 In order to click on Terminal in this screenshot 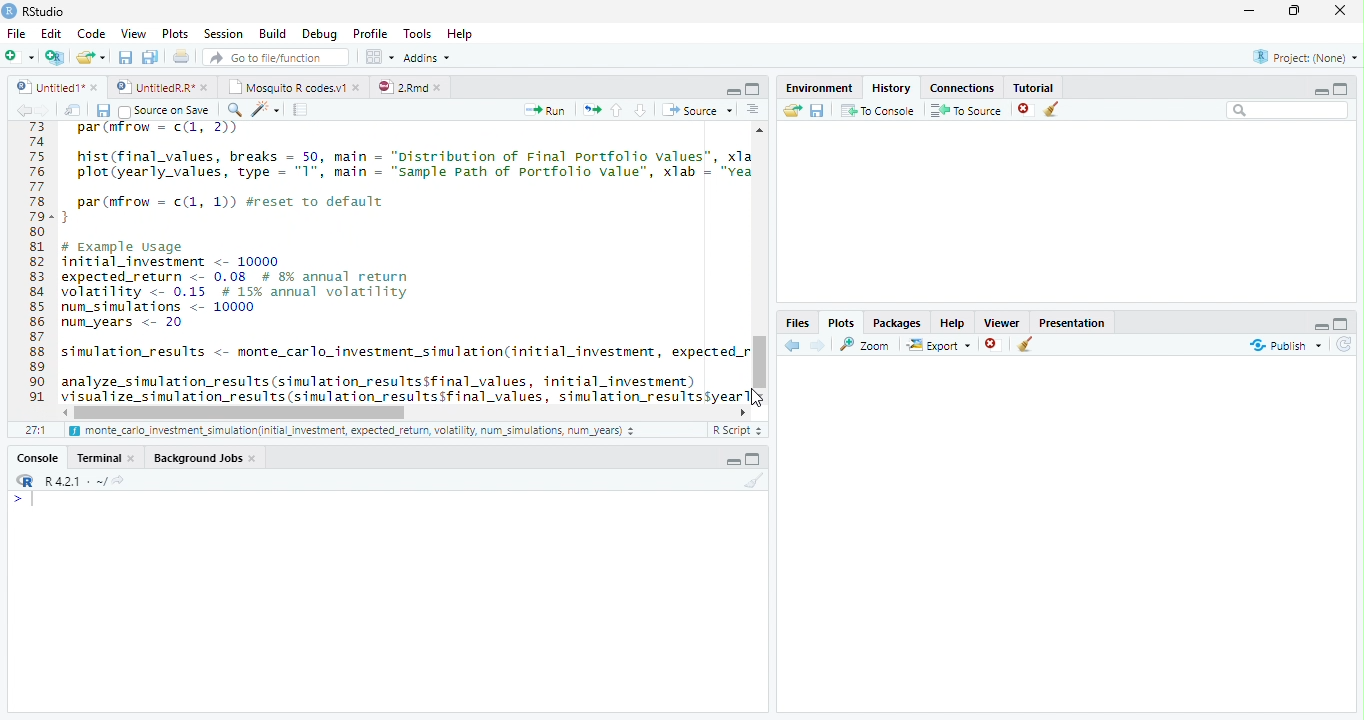, I will do `click(107, 457)`.